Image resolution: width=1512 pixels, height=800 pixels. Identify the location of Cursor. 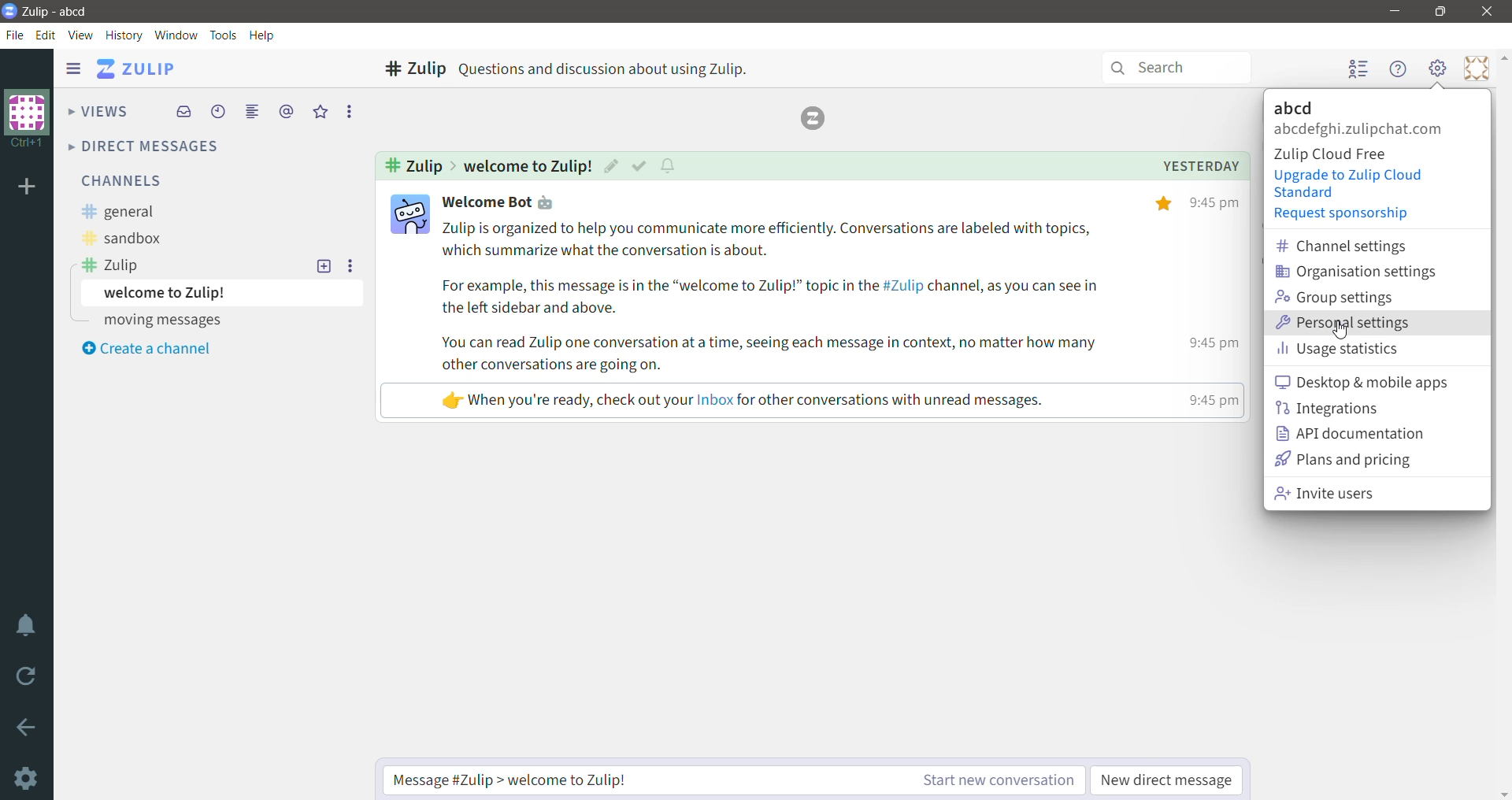
(1342, 329).